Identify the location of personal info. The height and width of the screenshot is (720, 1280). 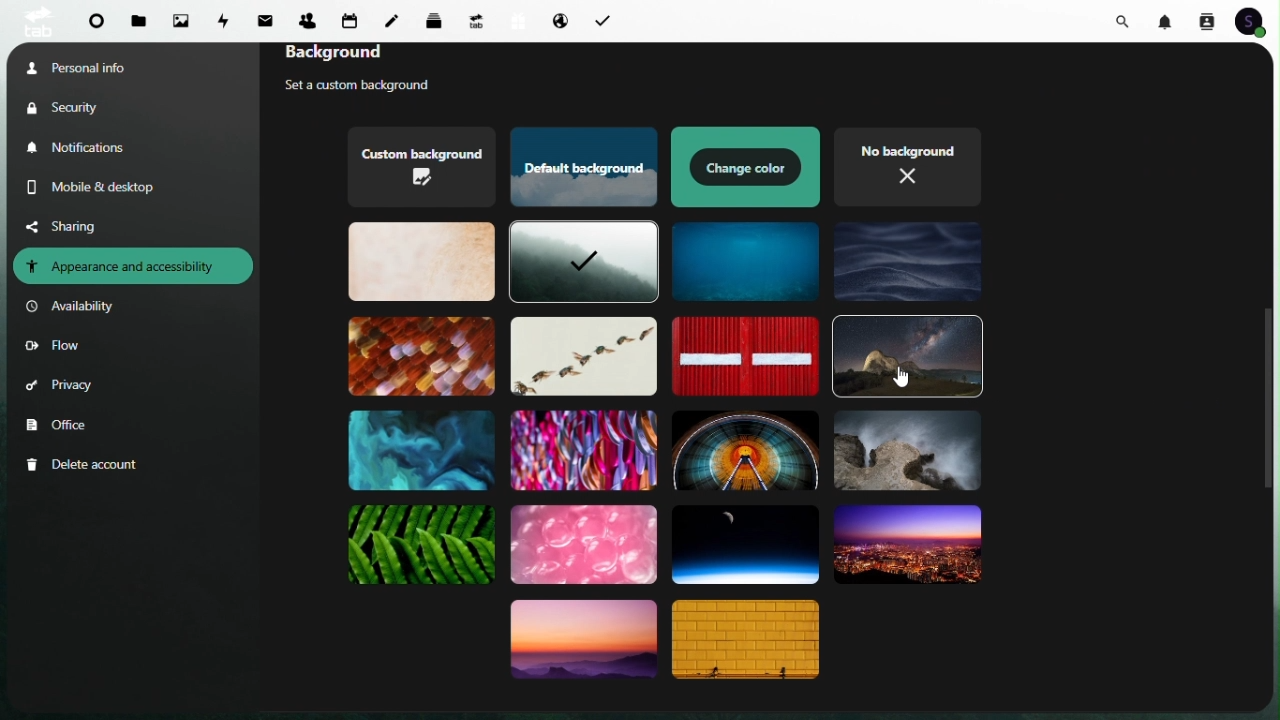
(101, 66).